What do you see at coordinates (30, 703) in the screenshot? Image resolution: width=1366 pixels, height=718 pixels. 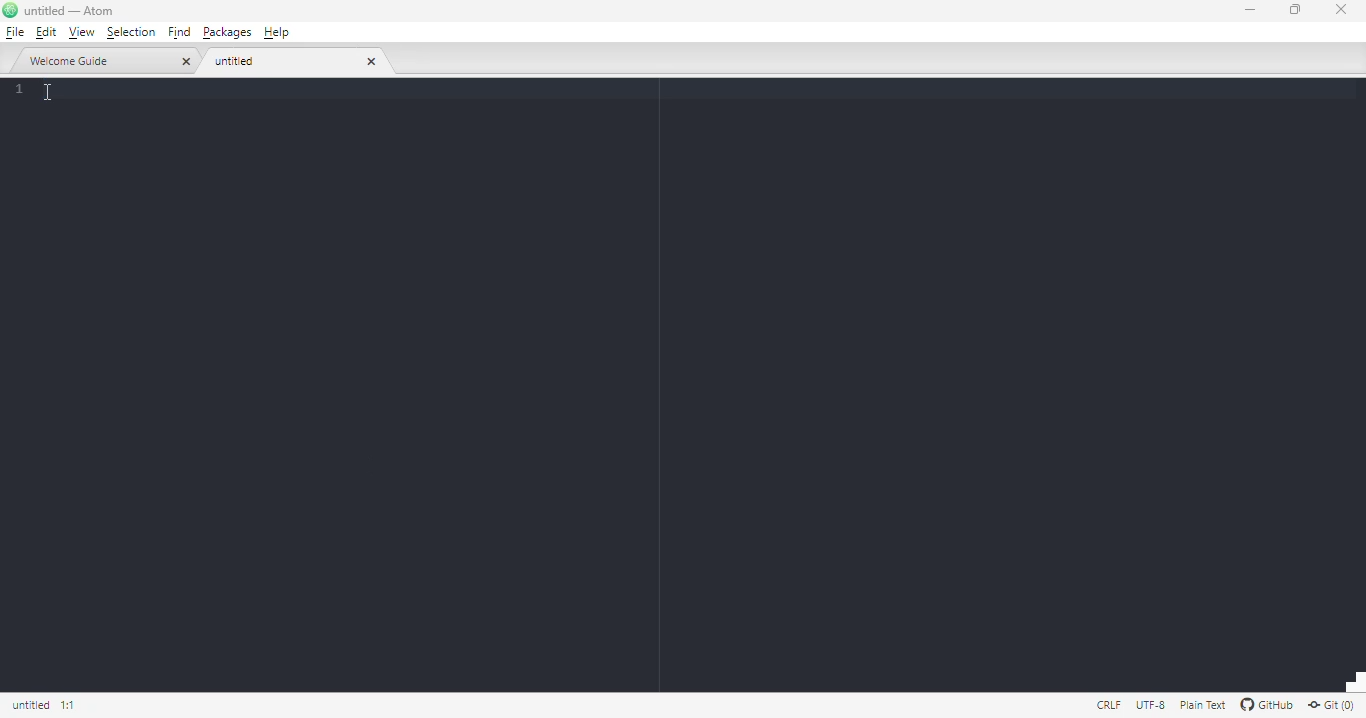 I see `click to copy absolute file path` at bounding box center [30, 703].